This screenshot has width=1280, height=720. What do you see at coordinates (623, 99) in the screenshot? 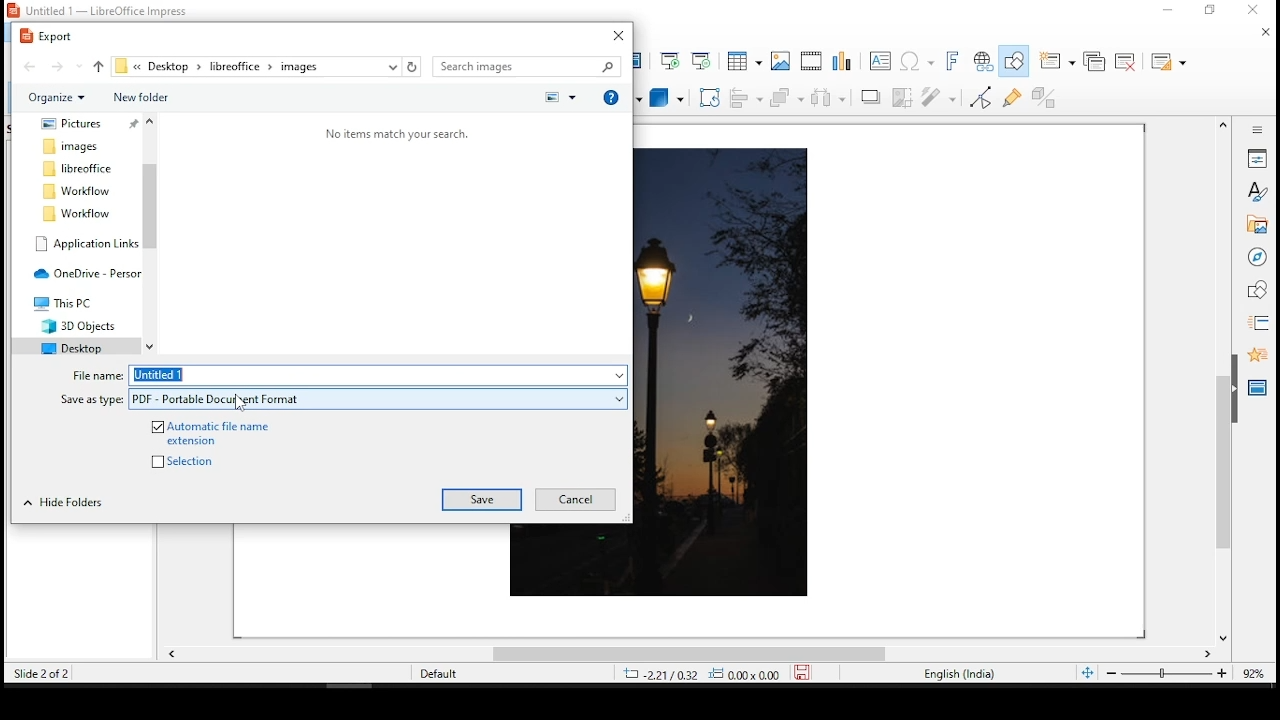
I see `stars and banners` at bounding box center [623, 99].